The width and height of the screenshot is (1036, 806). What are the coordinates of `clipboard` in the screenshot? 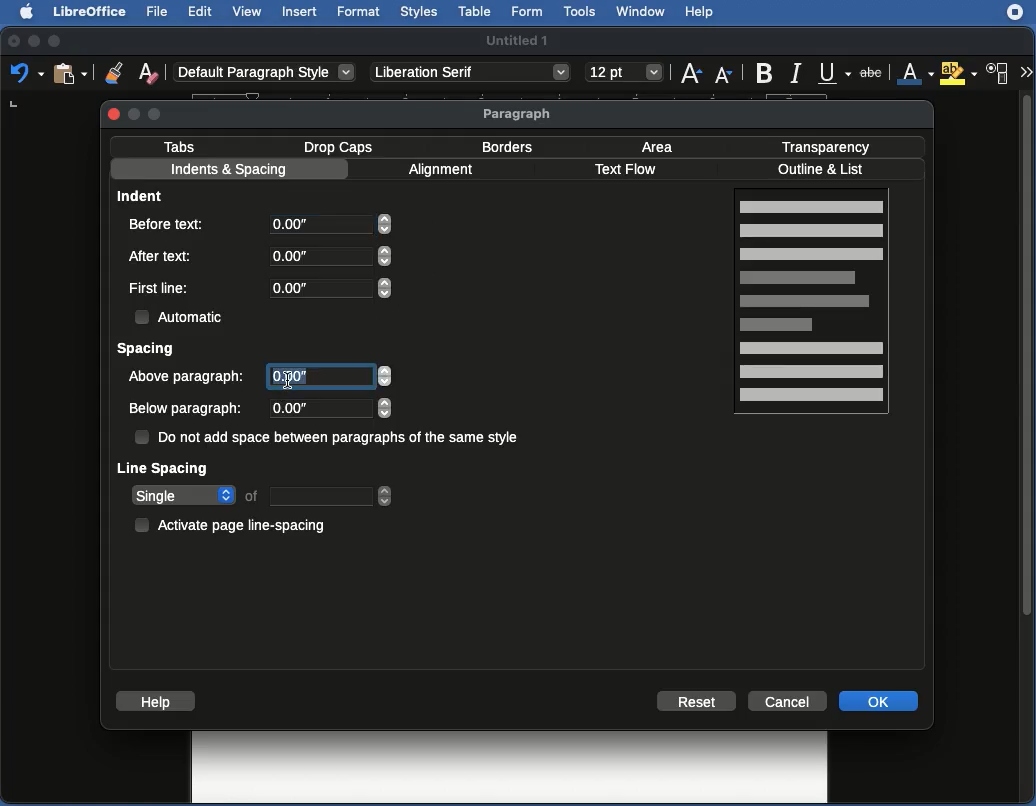 It's located at (69, 73).